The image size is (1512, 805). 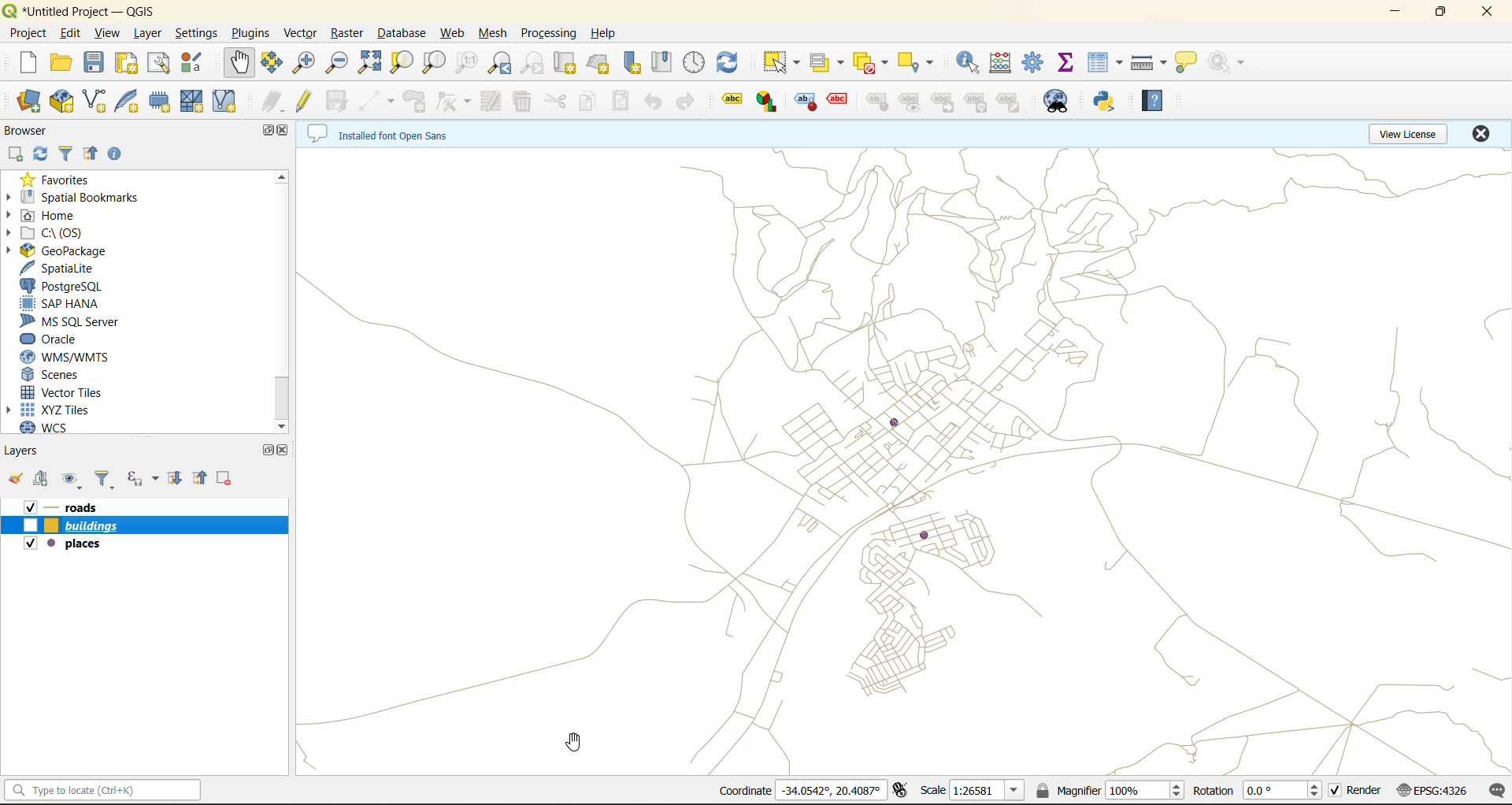 What do you see at coordinates (828, 63) in the screenshot?
I see `select value` at bounding box center [828, 63].